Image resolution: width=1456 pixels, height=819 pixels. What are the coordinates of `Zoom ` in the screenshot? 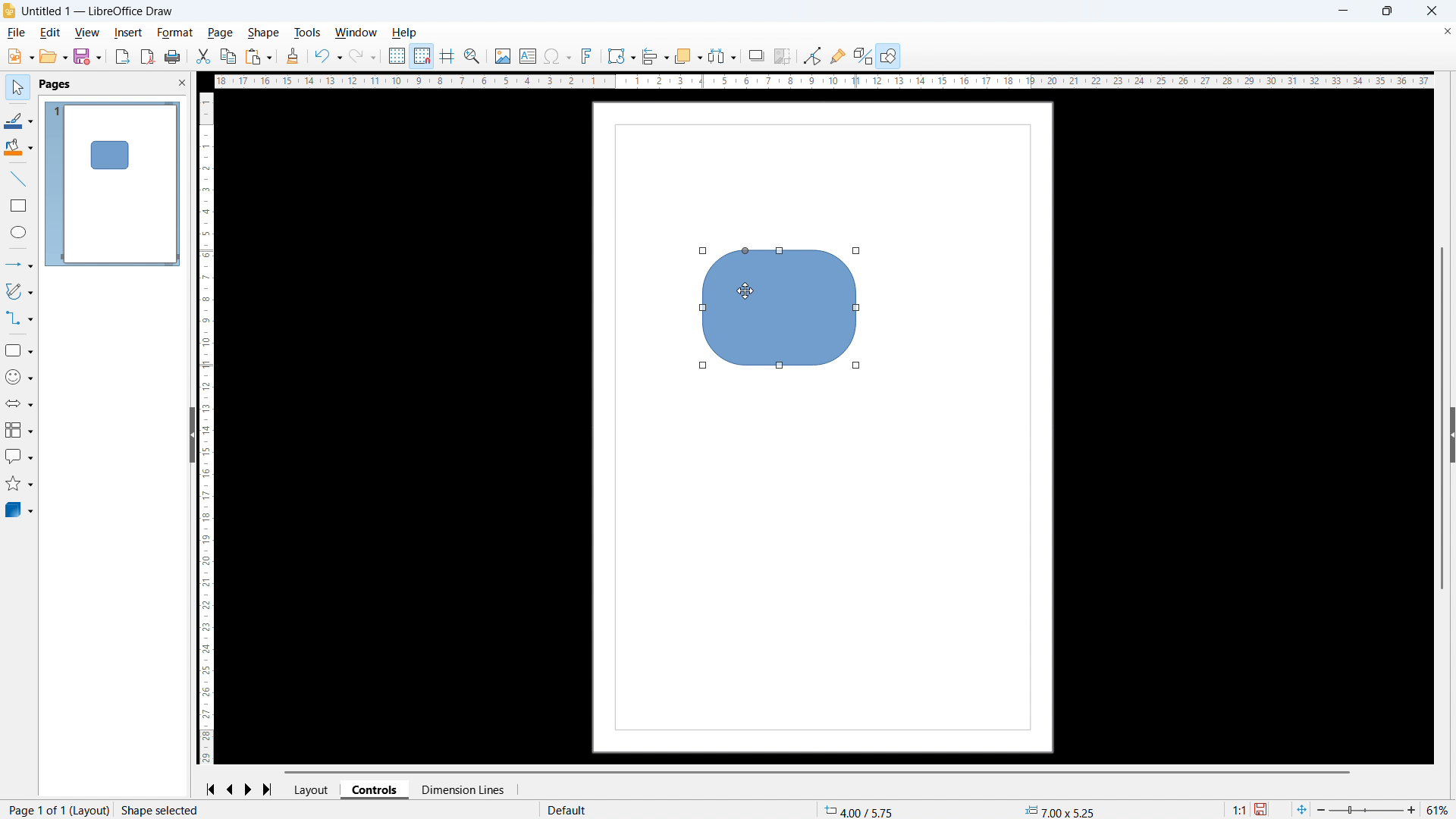 It's located at (473, 56).